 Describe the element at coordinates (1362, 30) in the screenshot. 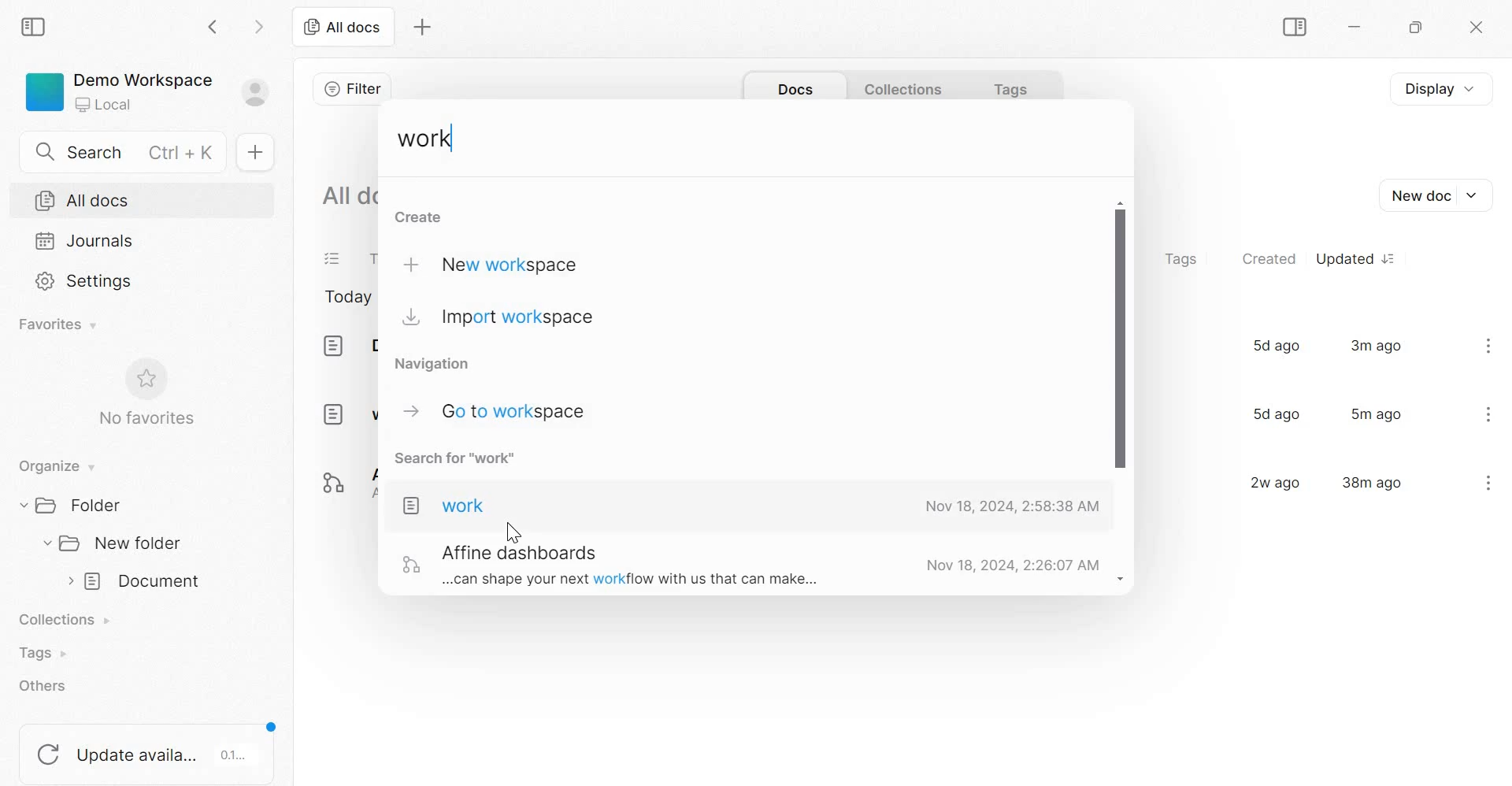

I see `minimize` at that location.